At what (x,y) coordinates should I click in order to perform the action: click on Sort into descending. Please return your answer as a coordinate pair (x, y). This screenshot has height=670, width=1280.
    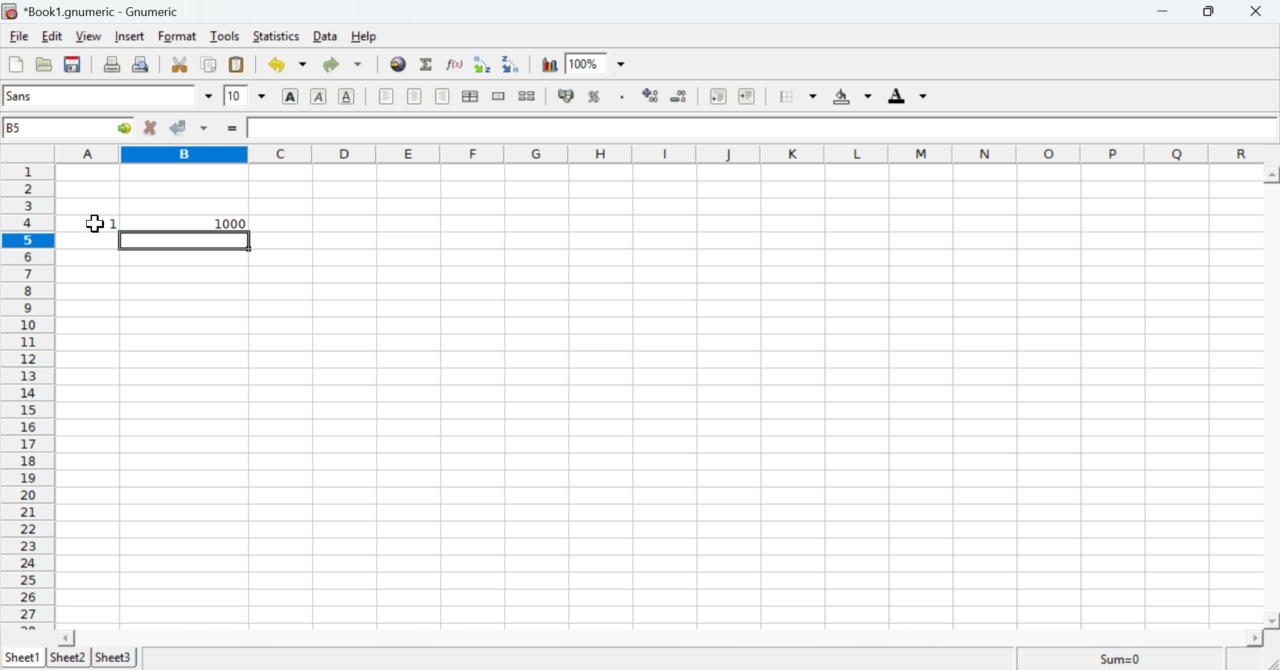
    Looking at the image, I should click on (511, 64).